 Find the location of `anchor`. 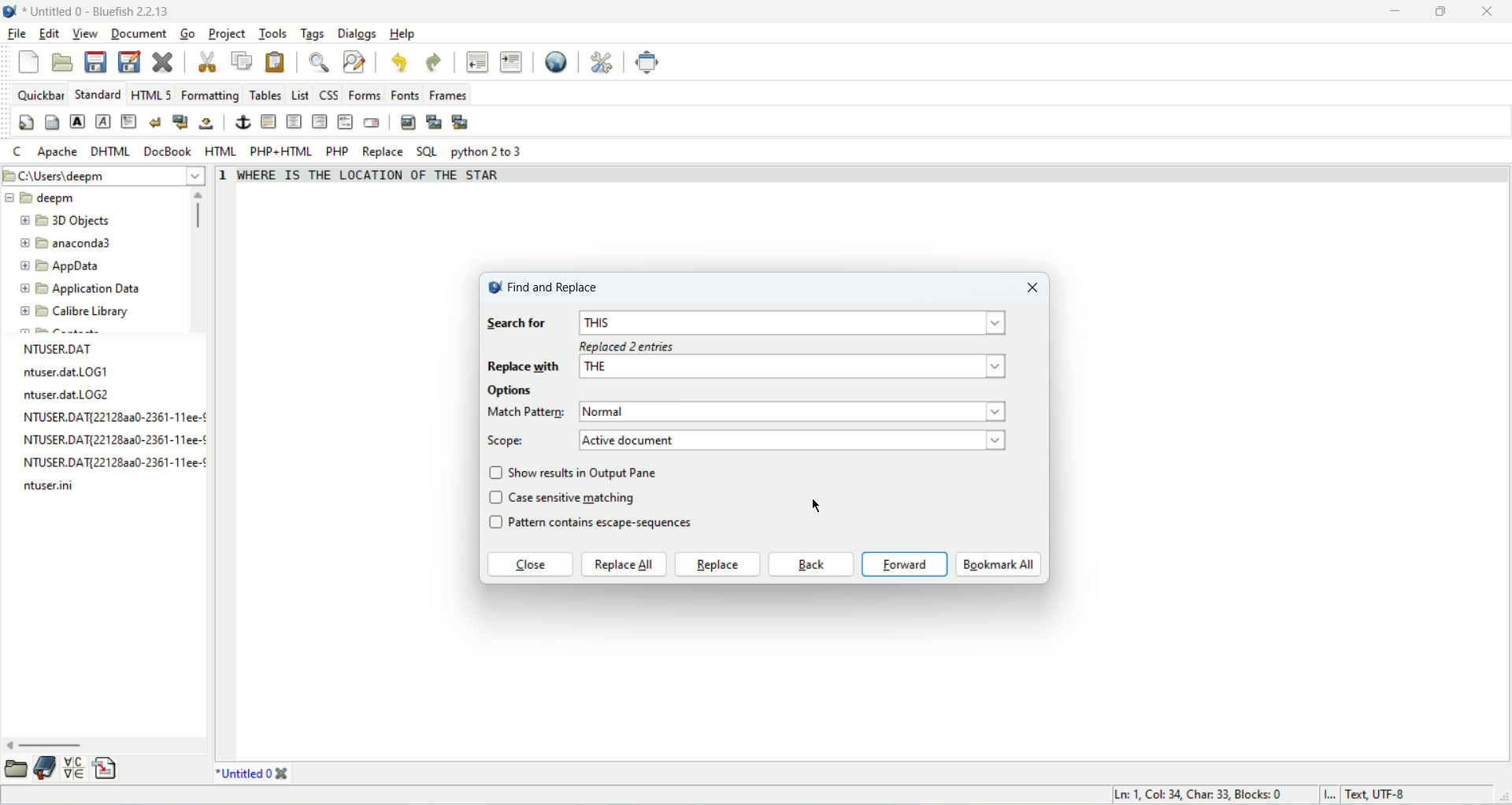

anchor is located at coordinates (242, 122).